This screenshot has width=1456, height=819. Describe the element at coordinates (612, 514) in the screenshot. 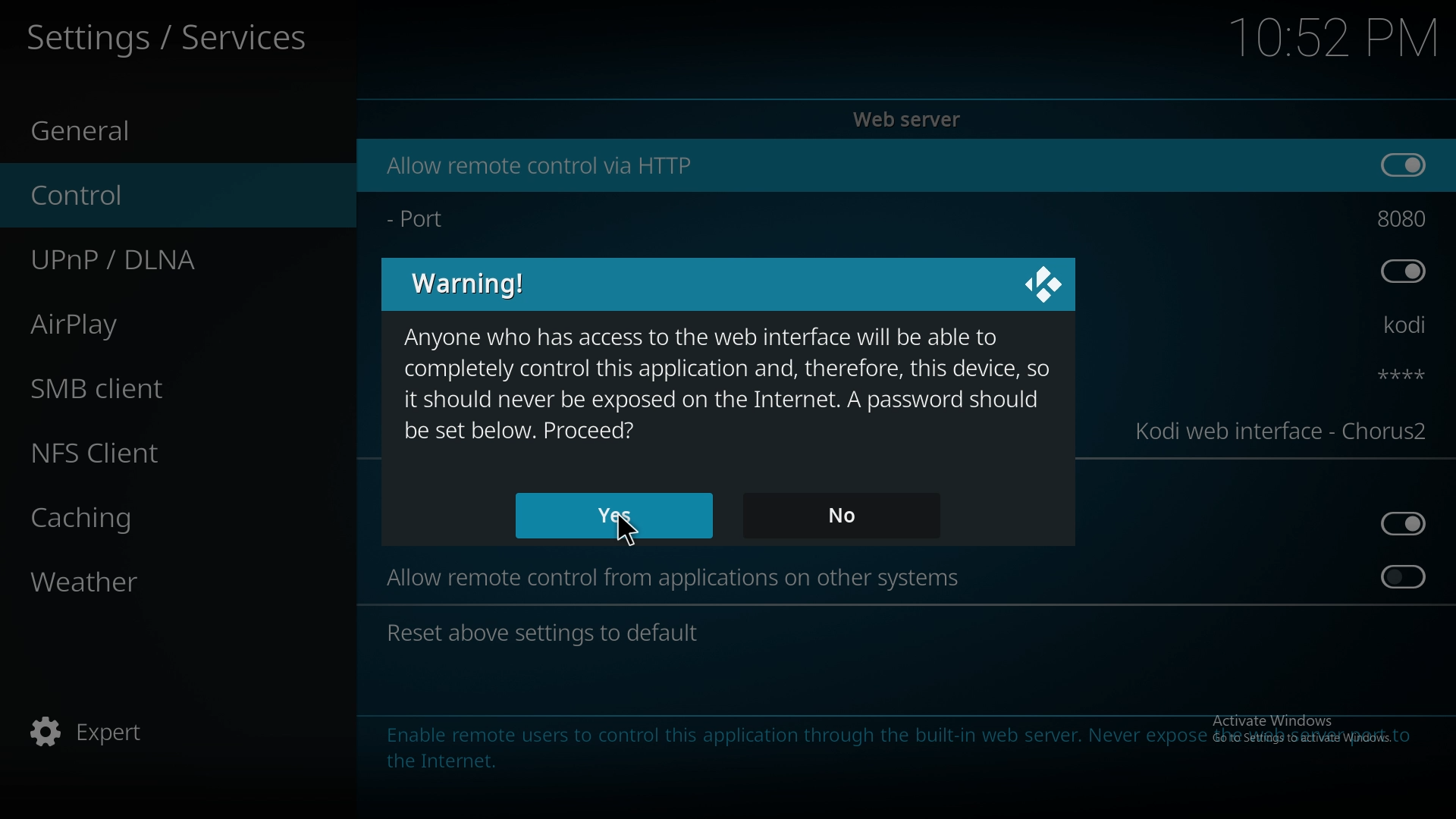

I see `yes` at that location.